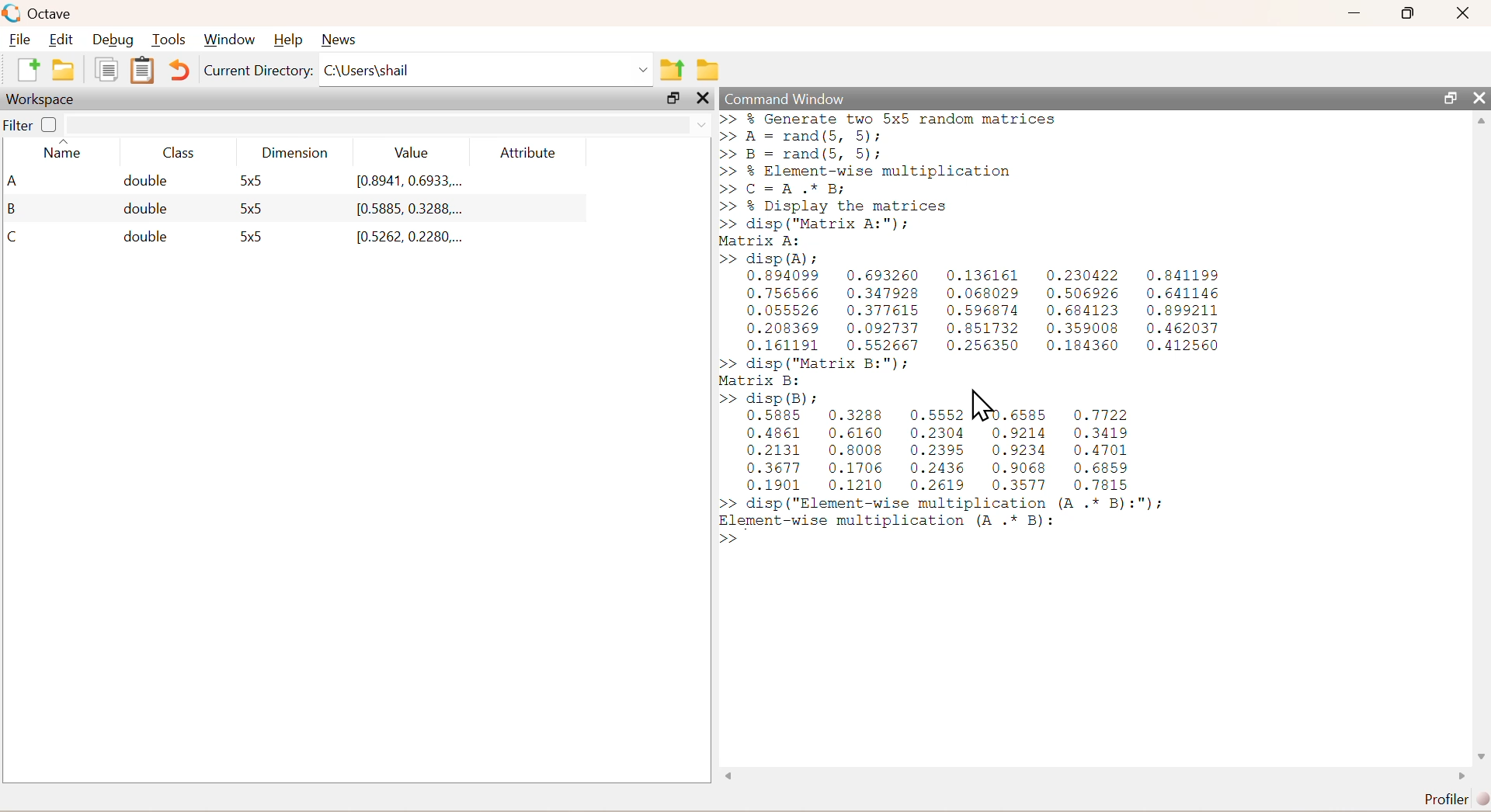 Image resolution: width=1491 pixels, height=812 pixels. Describe the element at coordinates (671, 70) in the screenshot. I see `one directory up` at that location.